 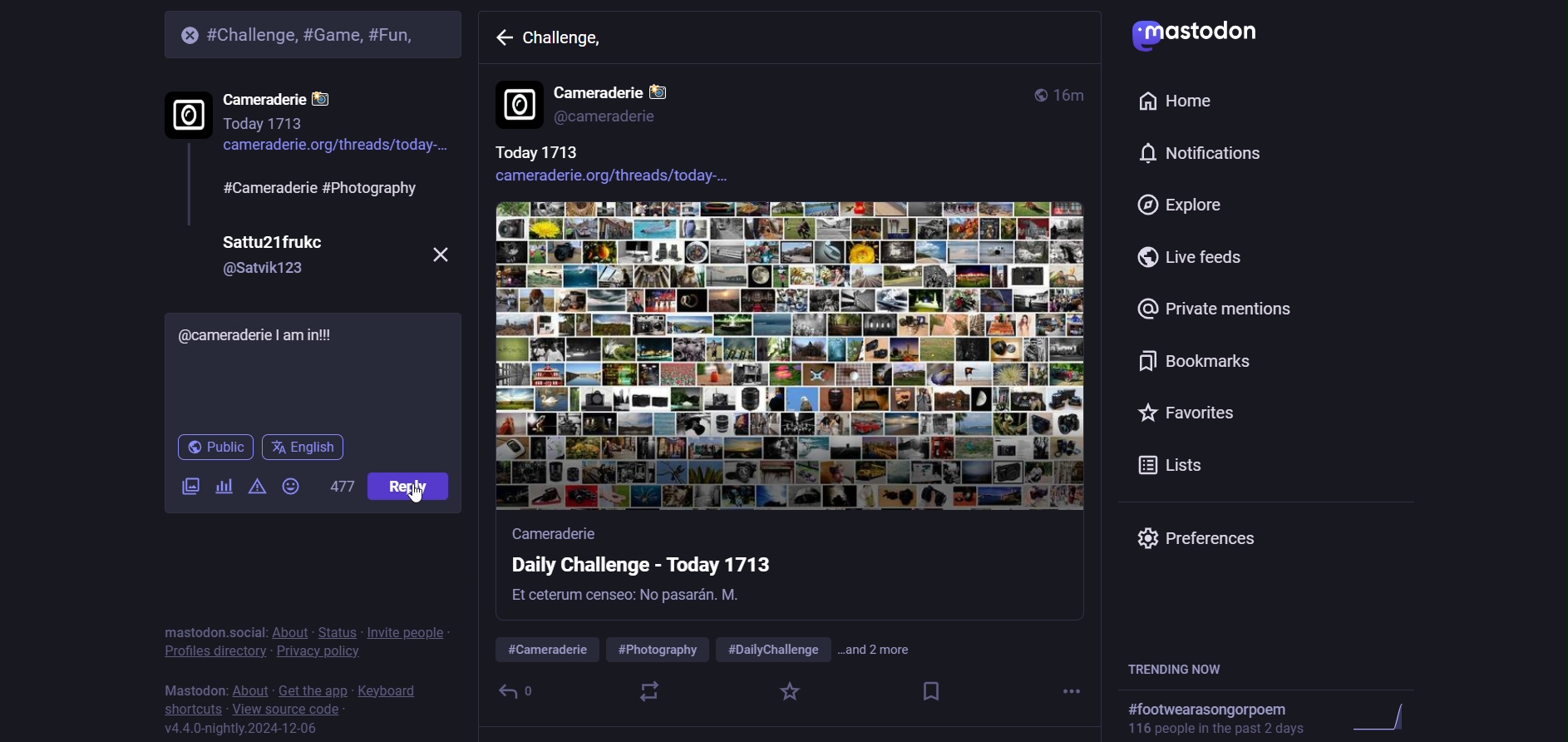 I want to click on invite people, so click(x=409, y=633).